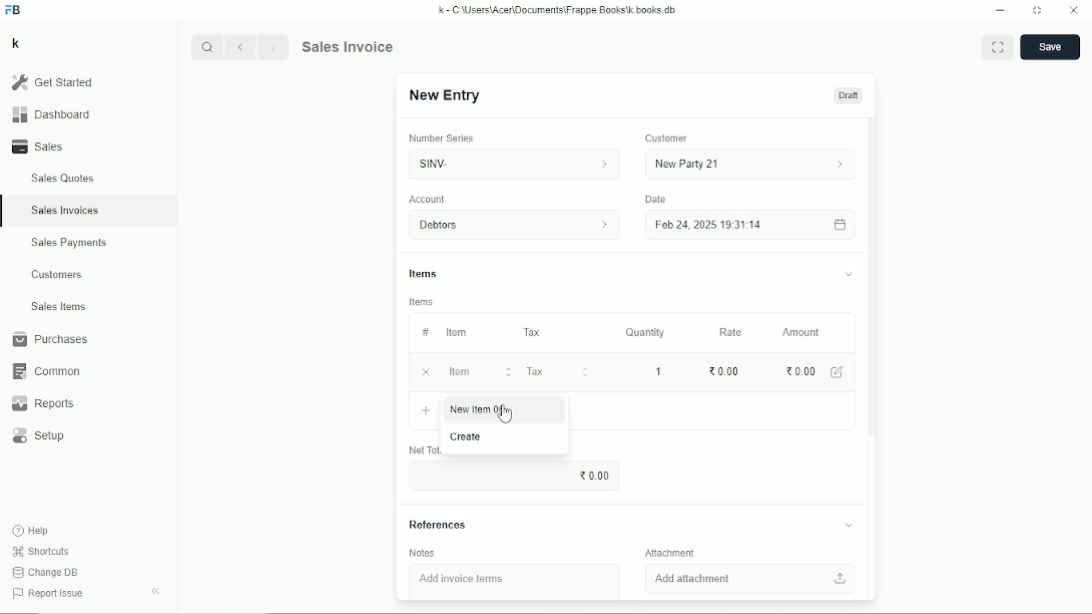 This screenshot has width=1092, height=614. What do you see at coordinates (645, 332) in the screenshot?
I see `Quantity` at bounding box center [645, 332].